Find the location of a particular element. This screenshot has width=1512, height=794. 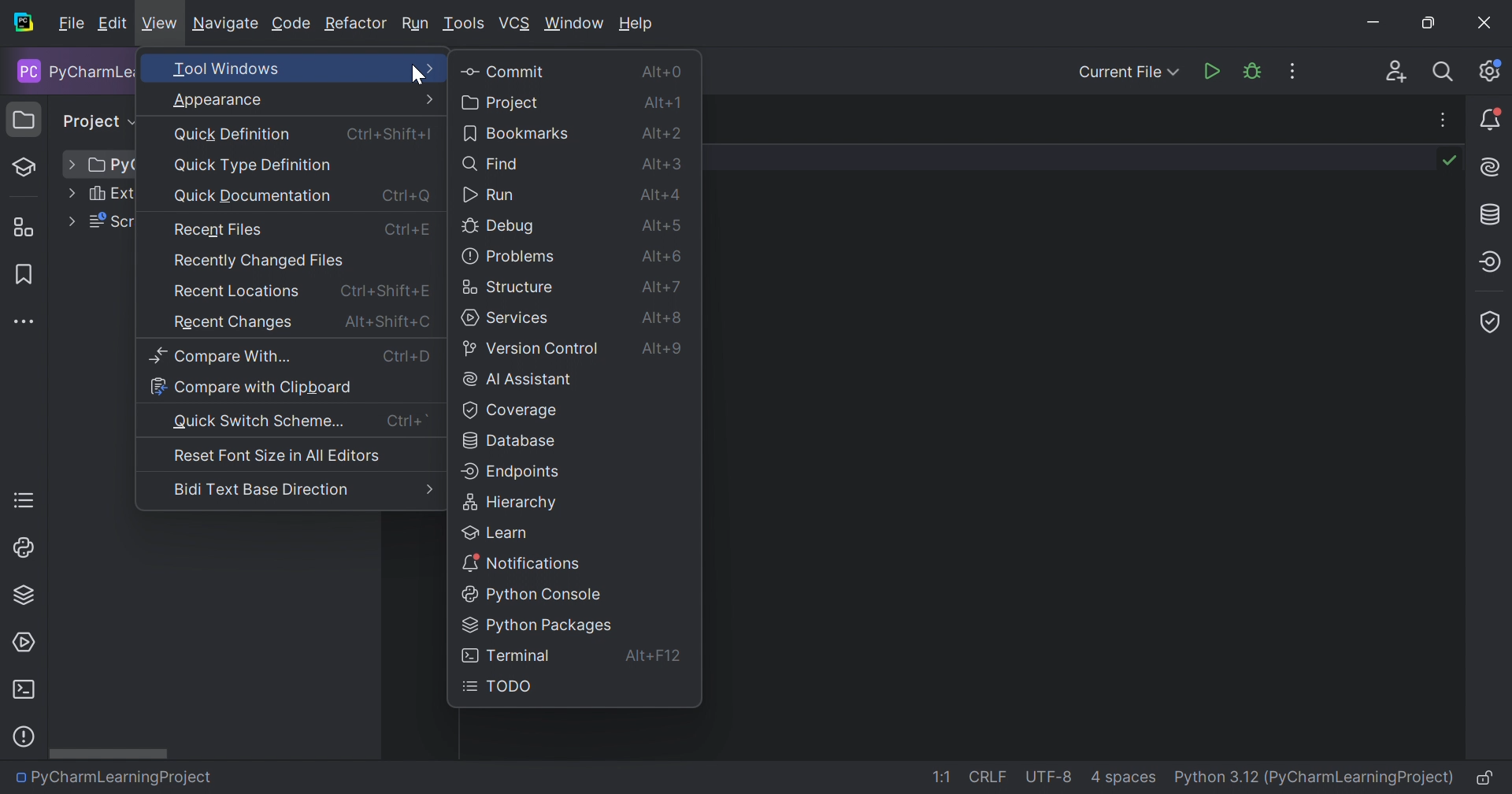

Quick Switch Scheme... is located at coordinates (259, 421).